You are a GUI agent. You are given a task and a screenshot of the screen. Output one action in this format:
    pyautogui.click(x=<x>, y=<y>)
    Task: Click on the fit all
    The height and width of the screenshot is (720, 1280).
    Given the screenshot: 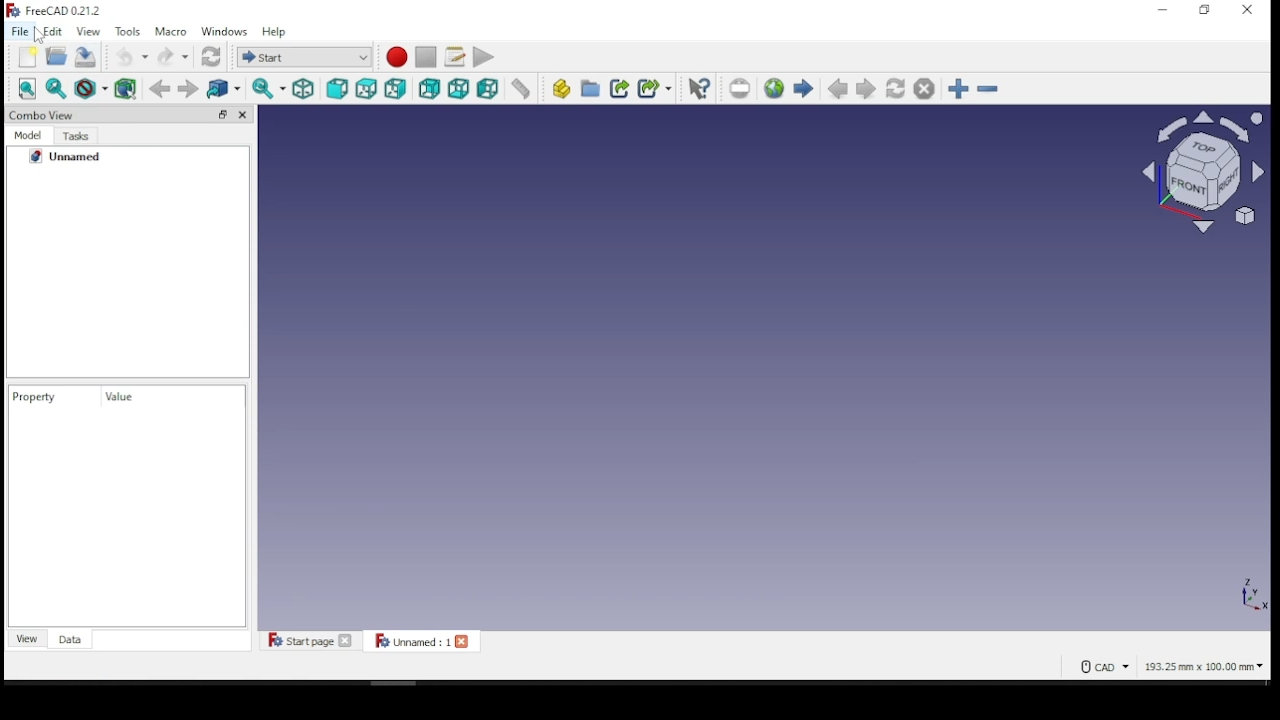 What is the action you would take?
    pyautogui.click(x=29, y=90)
    